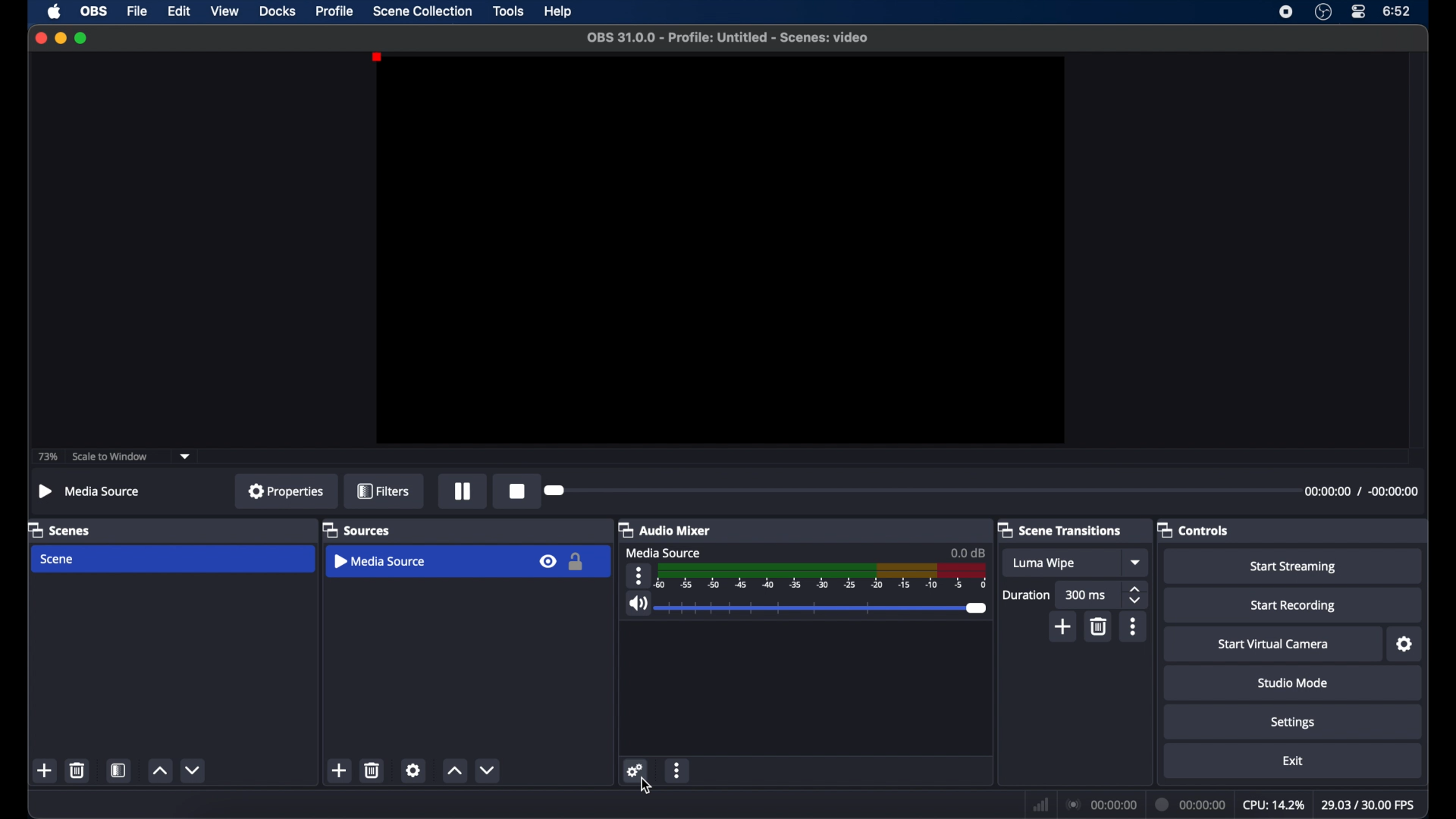  What do you see at coordinates (666, 552) in the screenshot?
I see `media source` at bounding box center [666, 552].